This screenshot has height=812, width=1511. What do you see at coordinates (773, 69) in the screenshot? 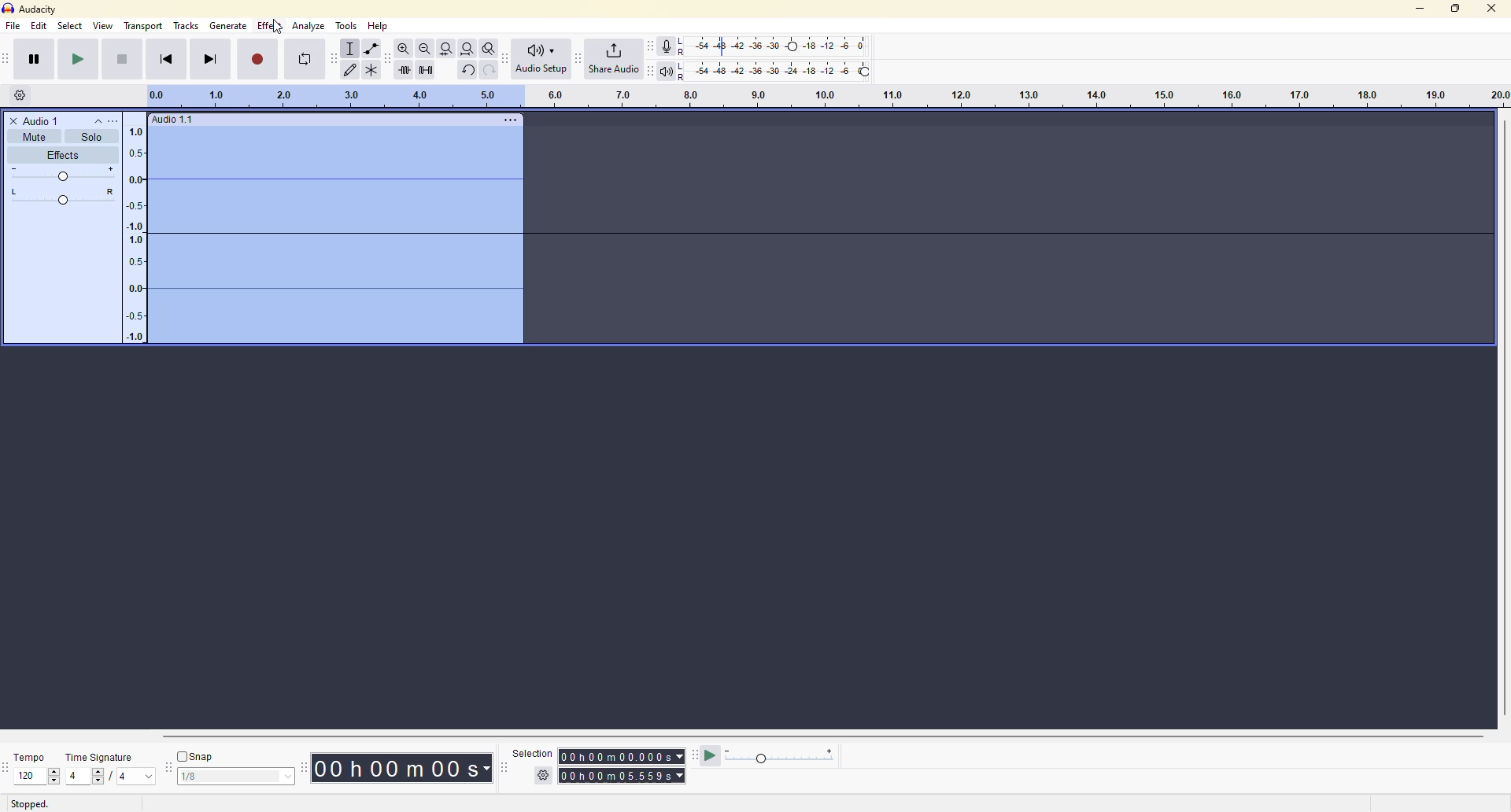
I see `playback level` at bounding box center [773, 69].